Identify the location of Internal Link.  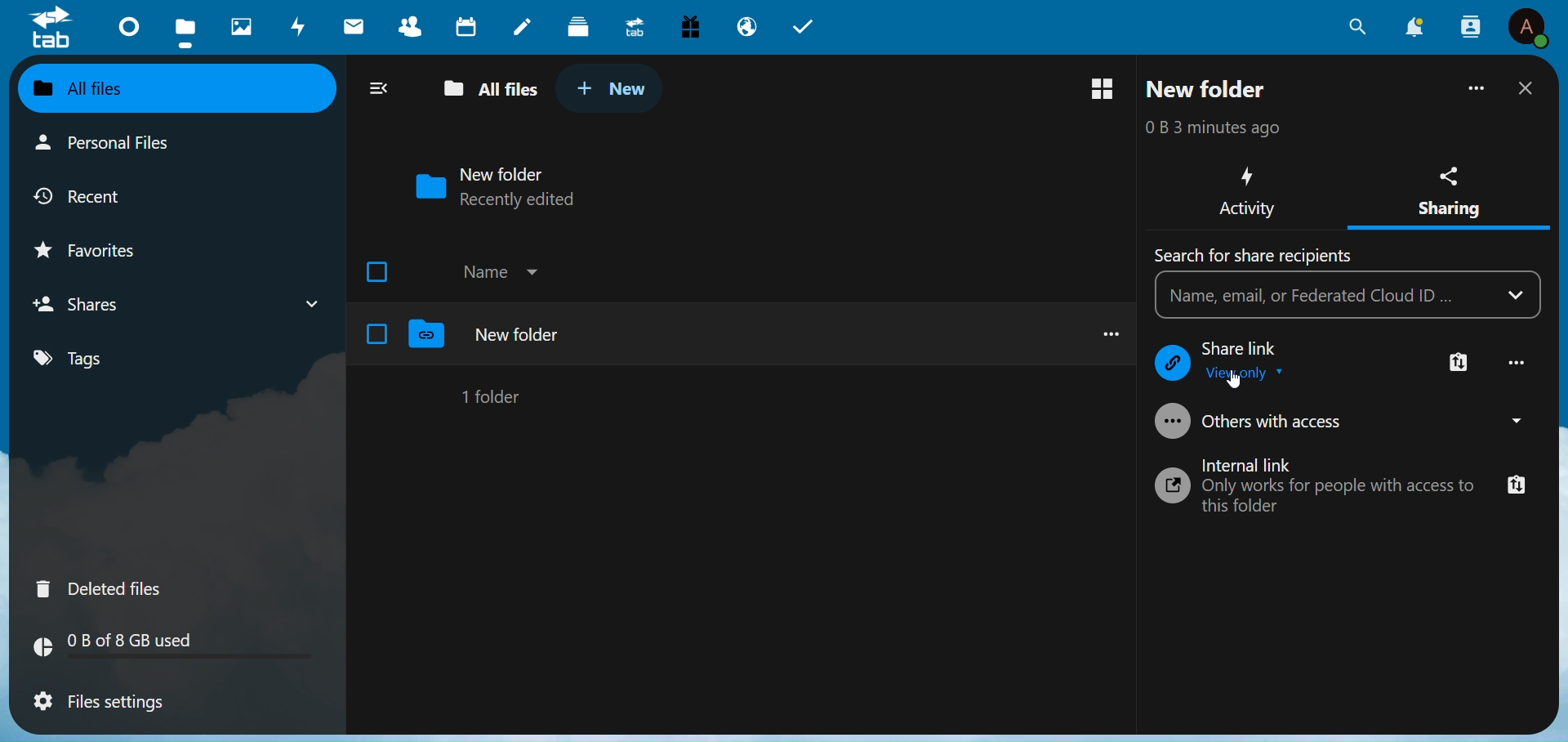
(1258, 463).